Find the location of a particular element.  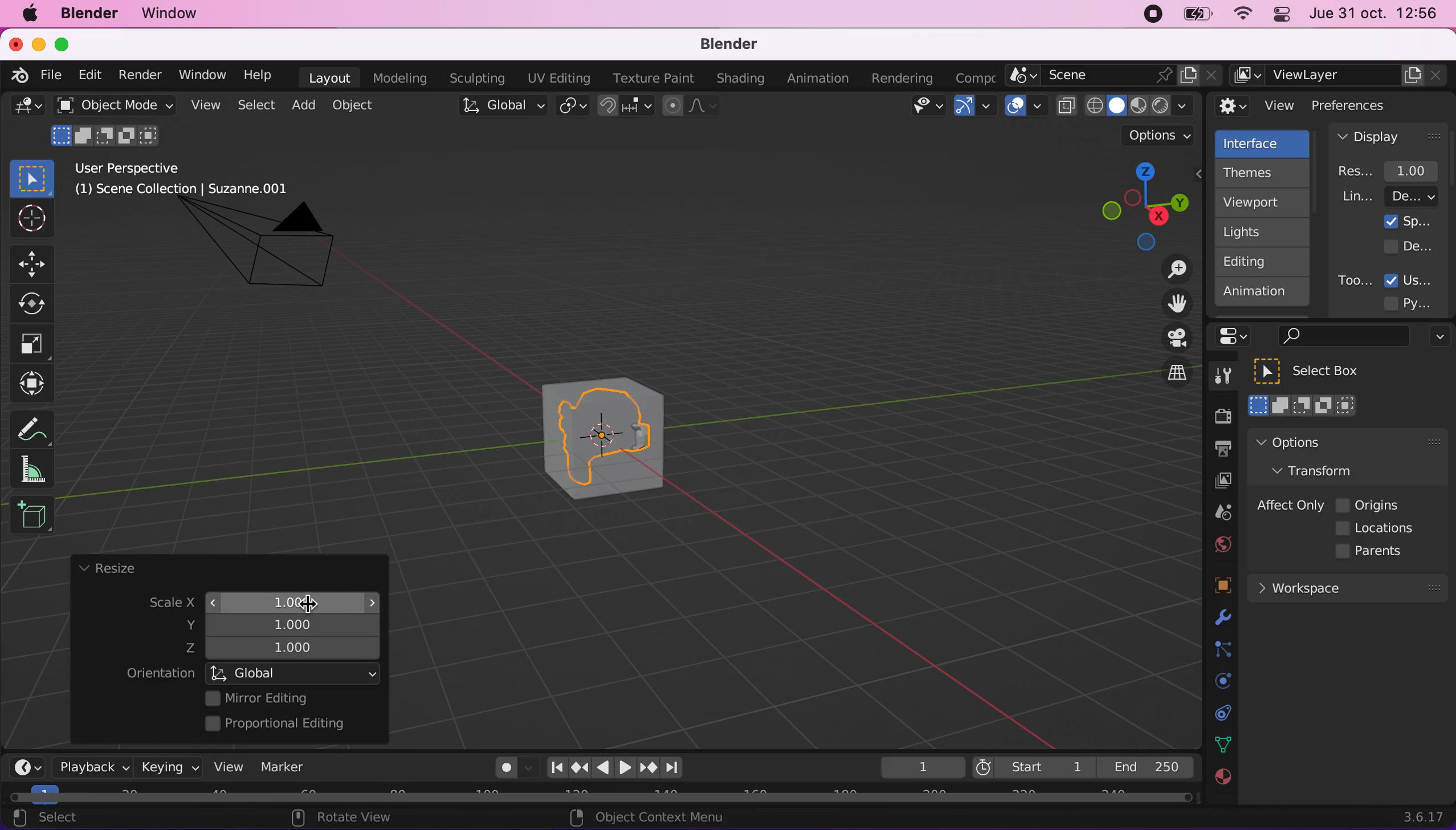

options is located at coordinates (1160, 136).